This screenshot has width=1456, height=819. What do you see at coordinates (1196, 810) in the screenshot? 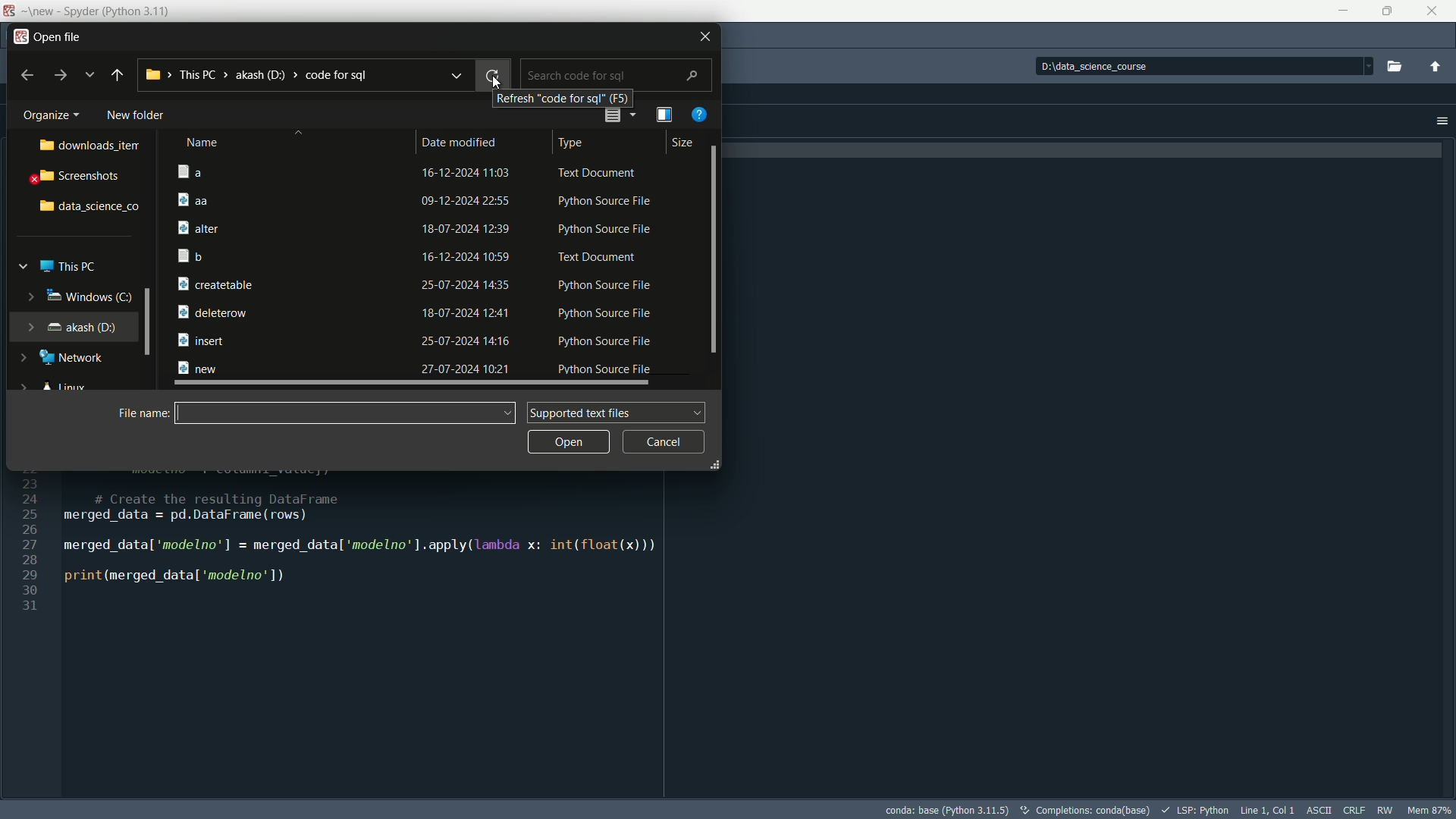
I see `LSP:Python` at bounding box center [1196, 810].